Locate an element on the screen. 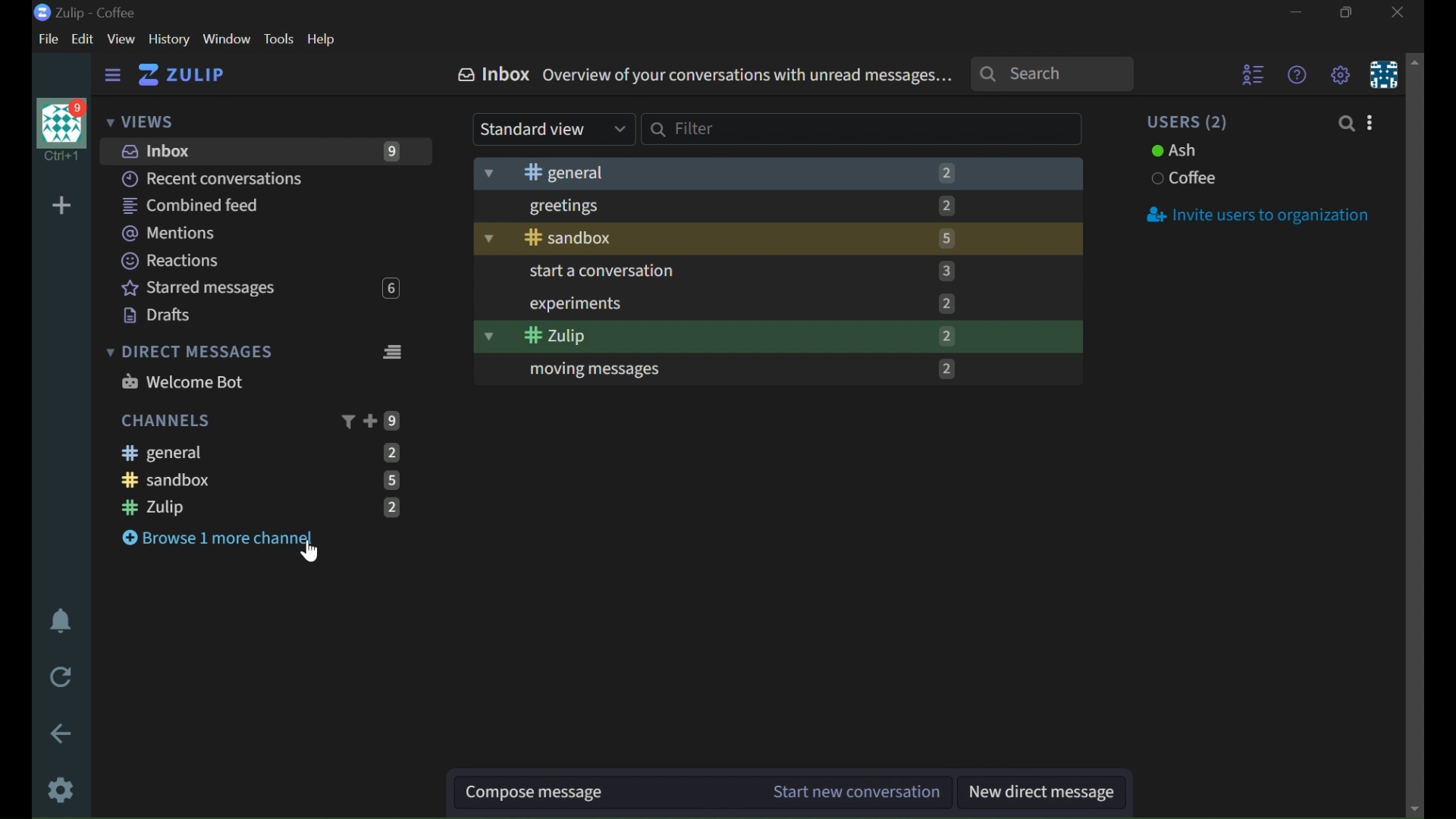 The height and width of the screenshot is (819, 1456). HELP is located at coordinates (322, 39).